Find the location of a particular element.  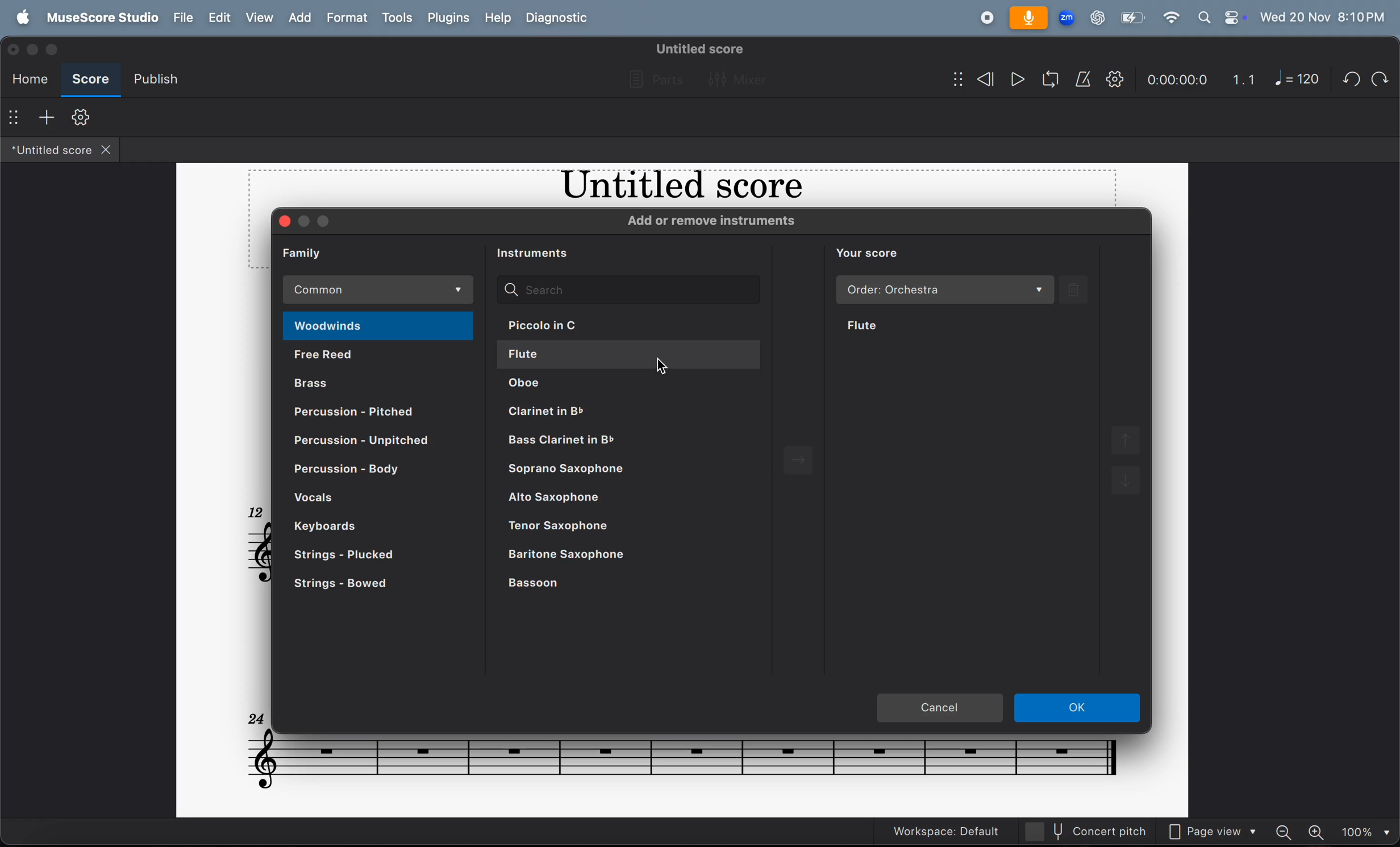

note 120 is located at coordinates (1295, 78).